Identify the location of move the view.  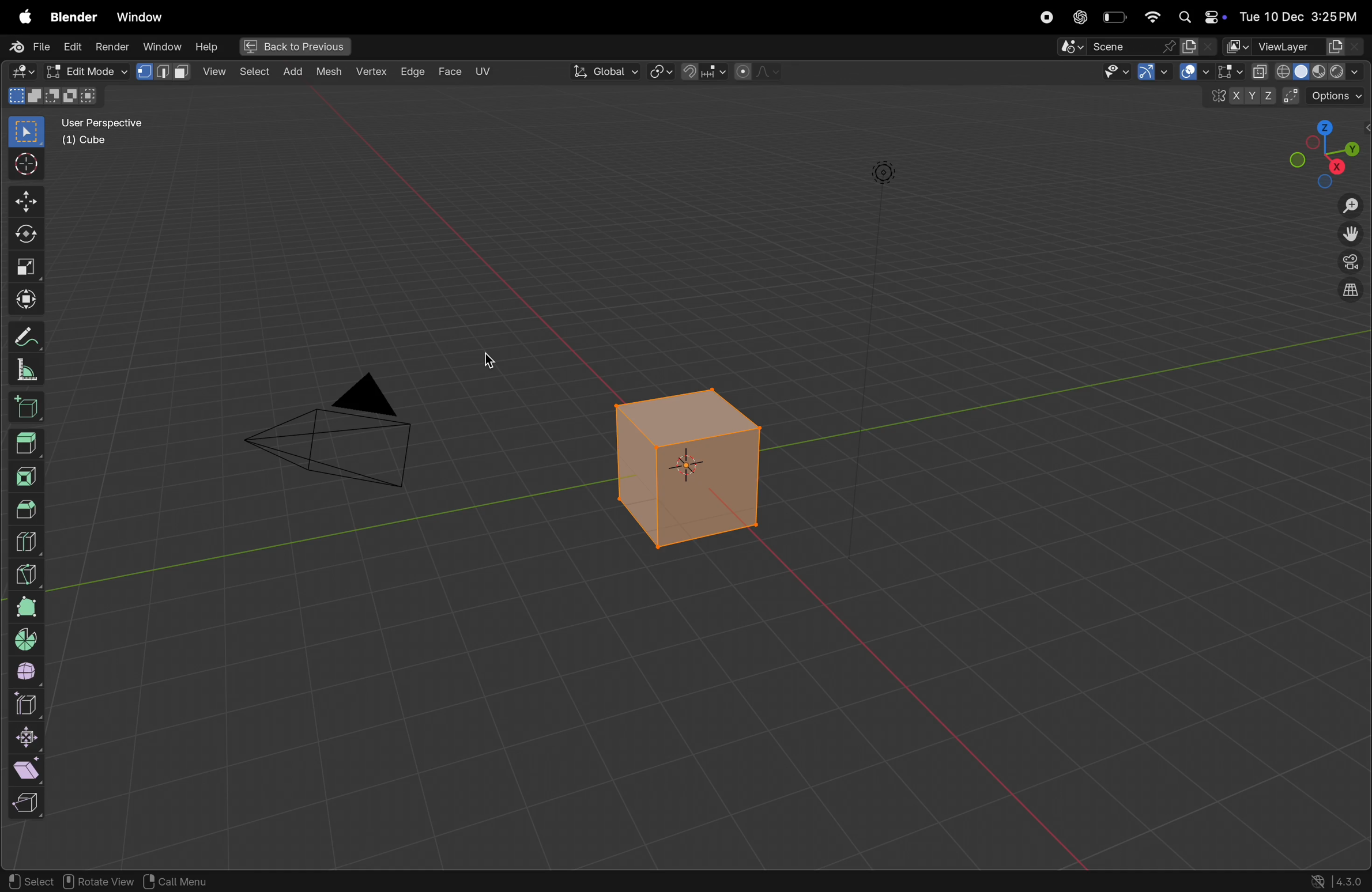
(1351, 235).